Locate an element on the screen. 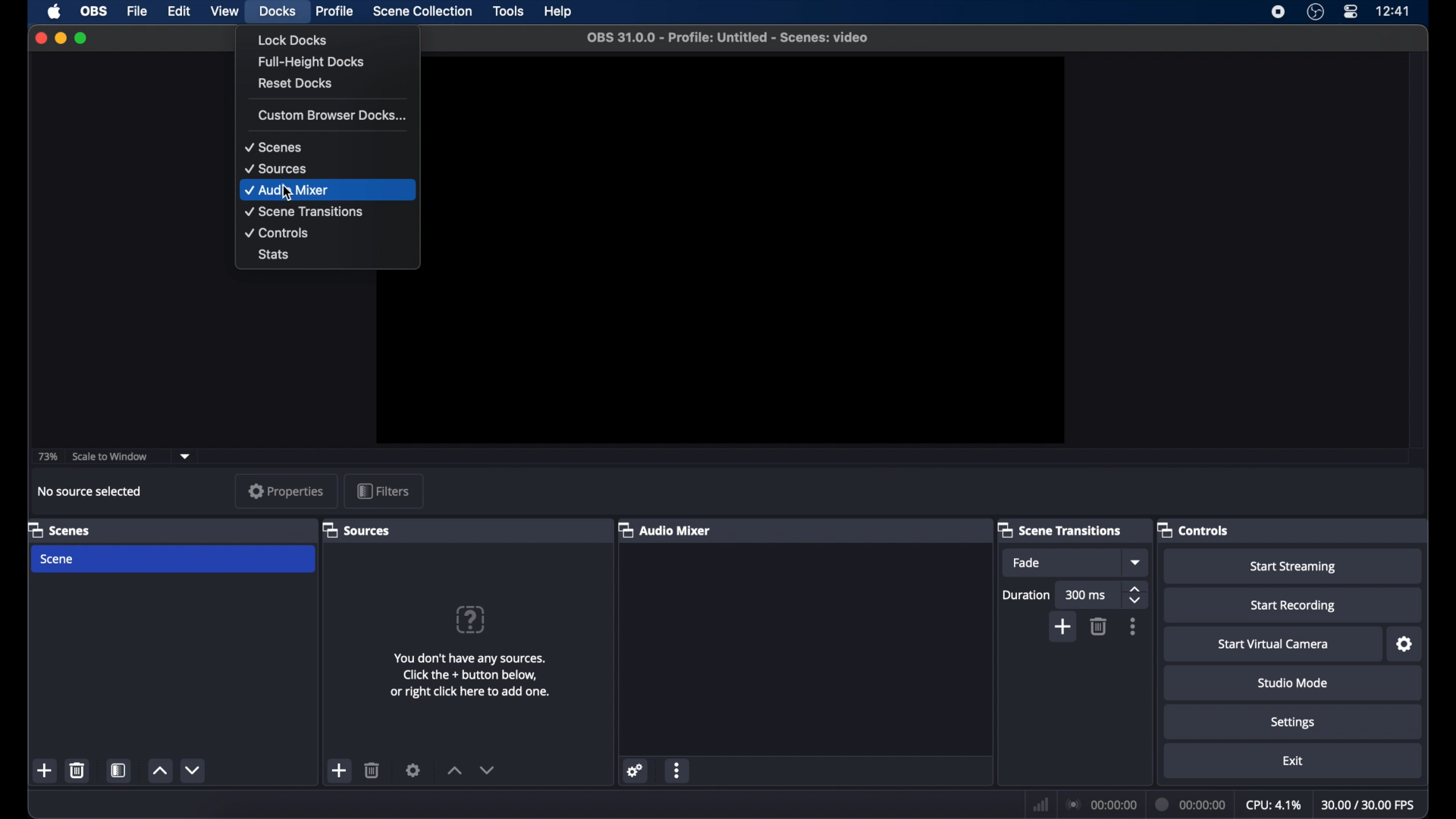 This screenshot has height=819, width=1456. fade is located at coordinates (1027, 563).